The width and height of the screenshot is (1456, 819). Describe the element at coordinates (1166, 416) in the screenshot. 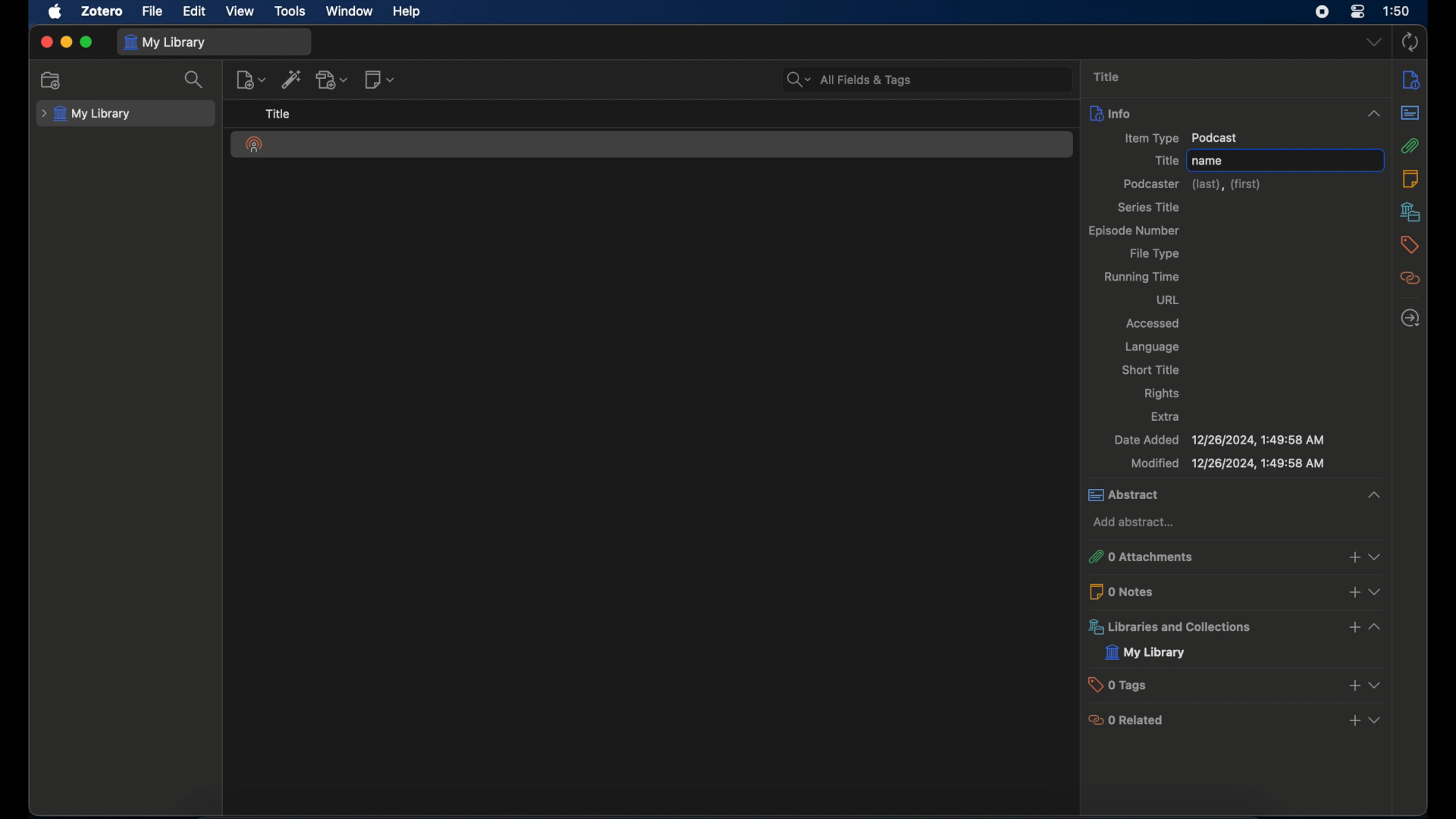

I see `extra` at that location.